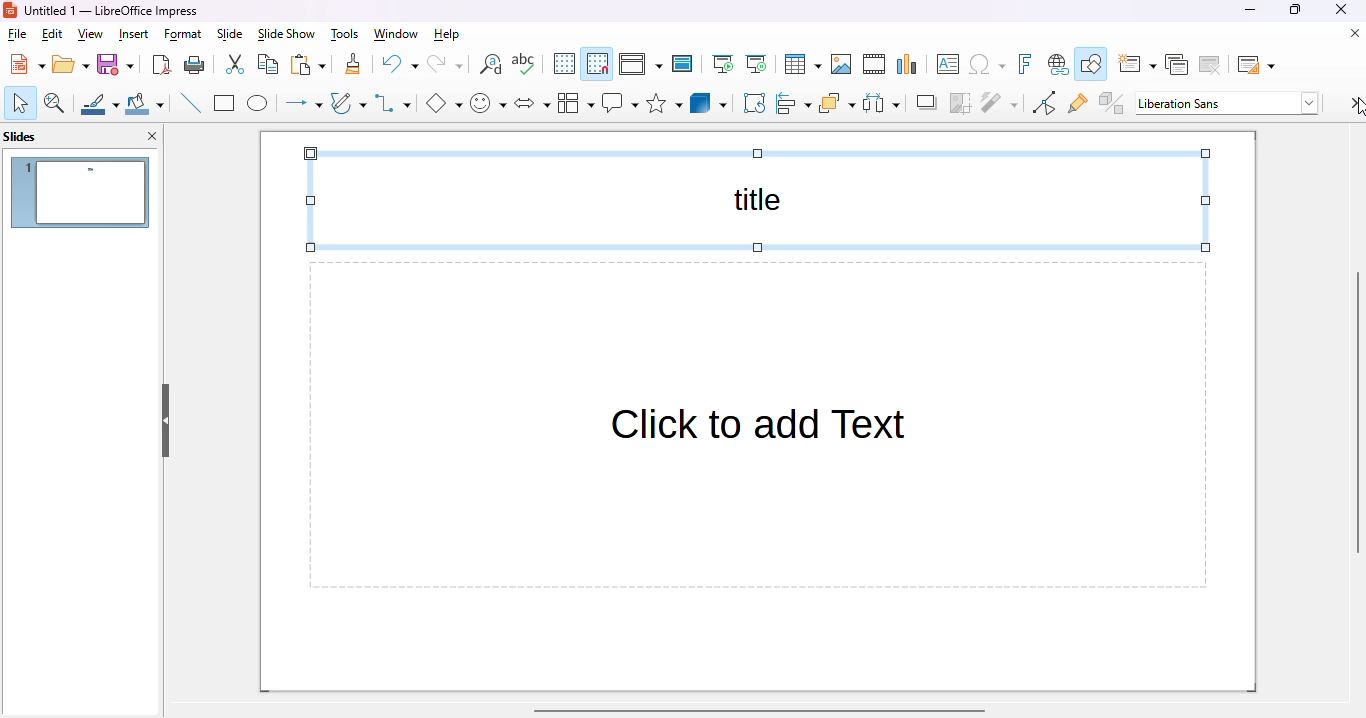  Describe the element at coordinates (71, 64) in the screenshot. I see `open` at that location.